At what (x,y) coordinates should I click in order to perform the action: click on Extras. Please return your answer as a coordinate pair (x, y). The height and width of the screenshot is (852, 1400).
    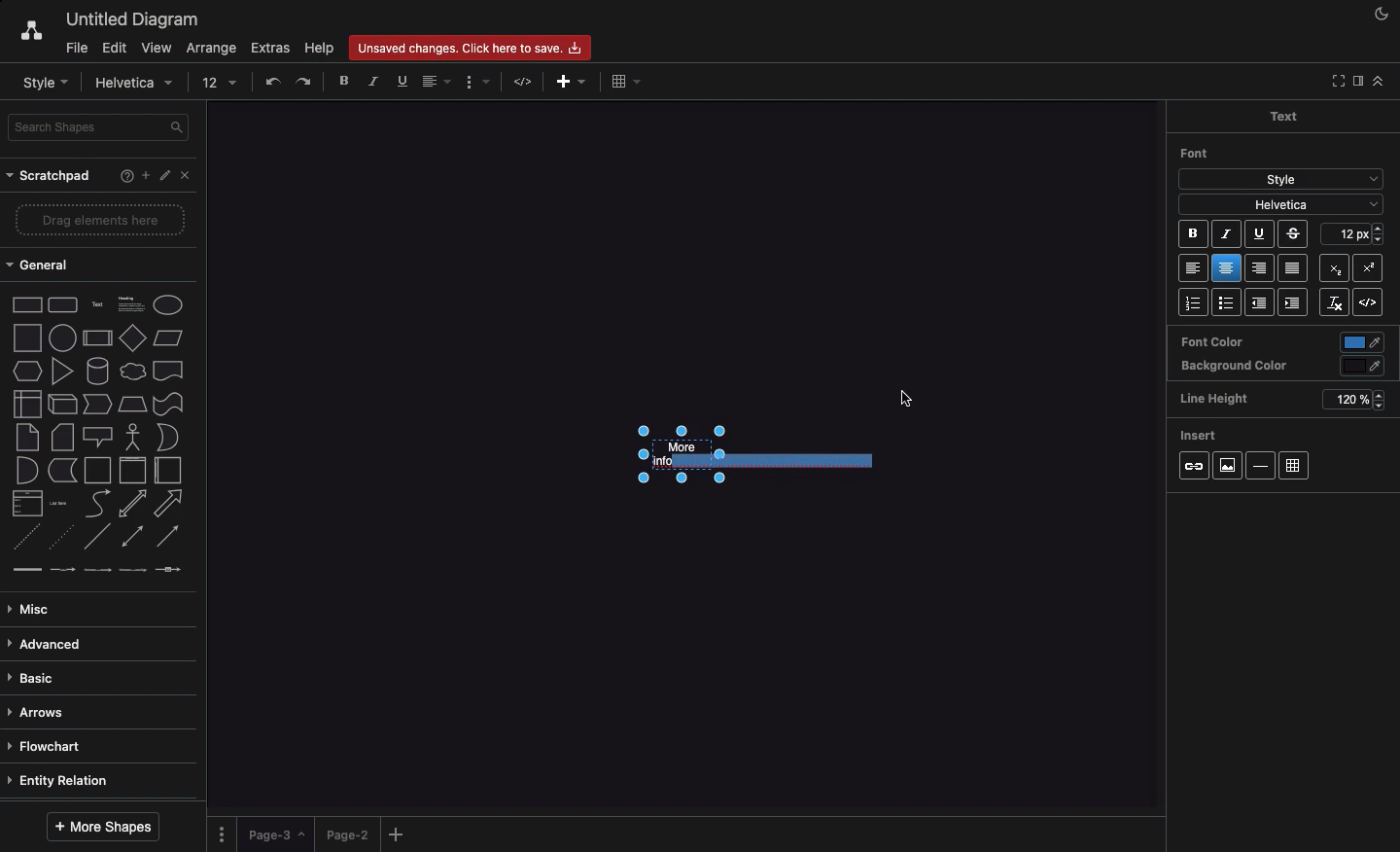
    Looking at the image, I should click on (271, 48).